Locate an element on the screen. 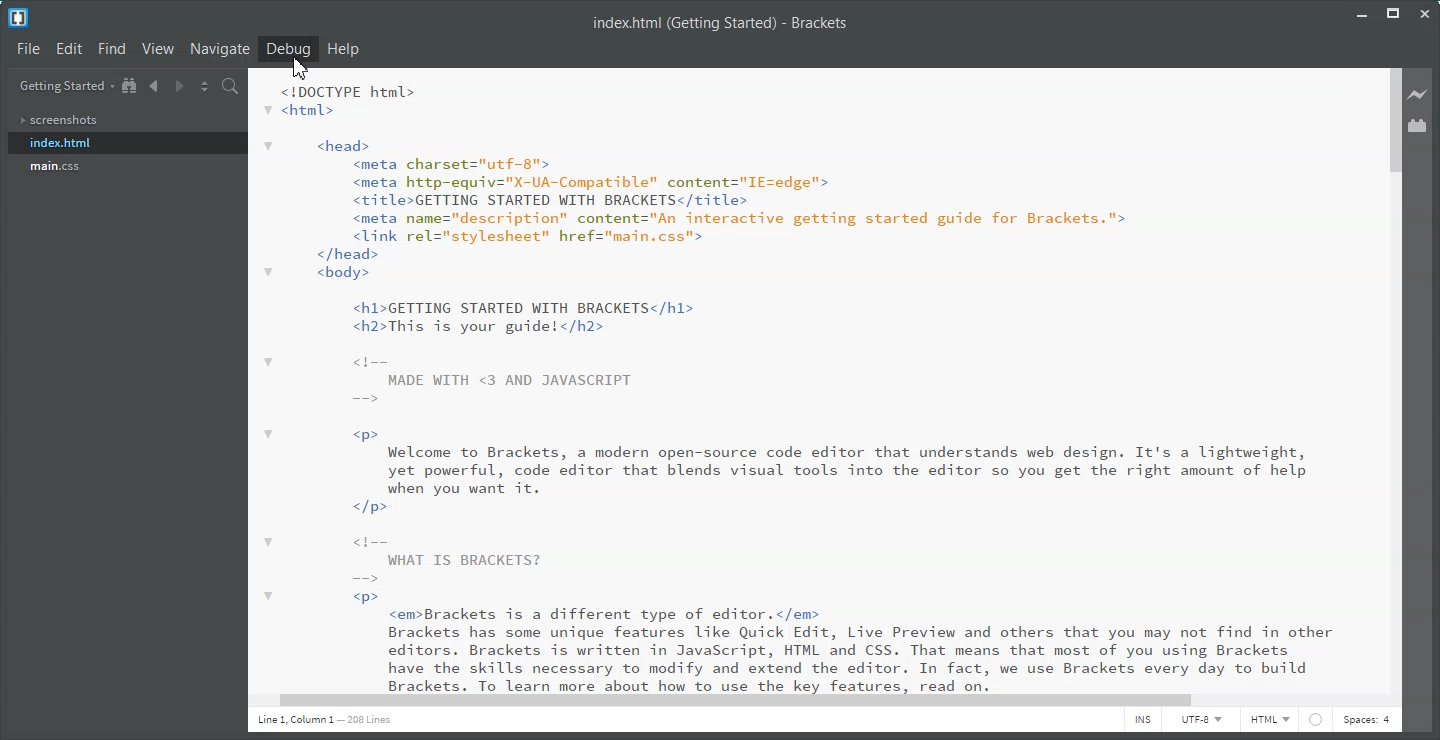 The height and width of the screenshot is (740, 1440). Navigate is located at coordinates (220, 48).